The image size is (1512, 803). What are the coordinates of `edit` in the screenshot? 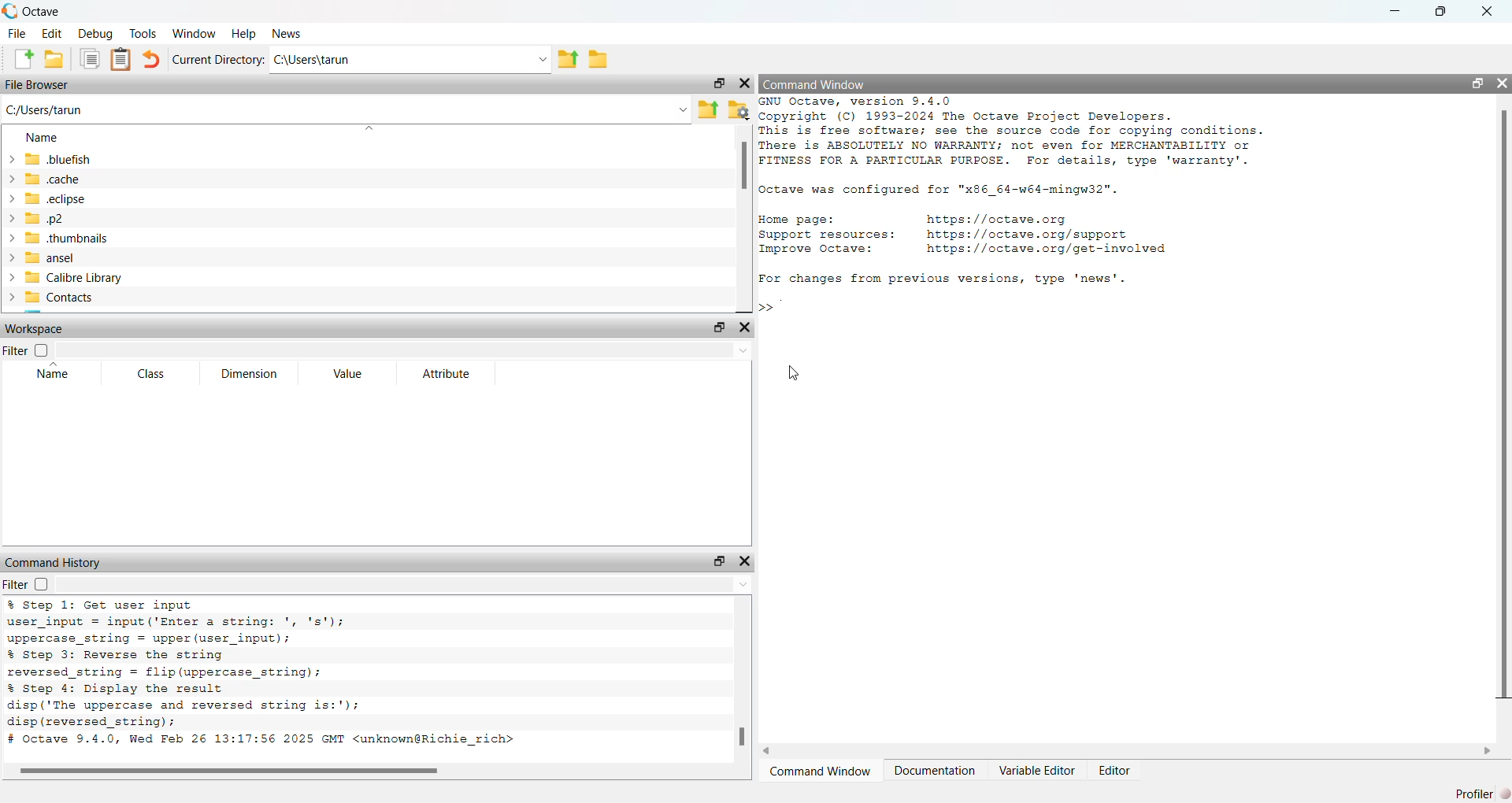 It's located at (54, 33).